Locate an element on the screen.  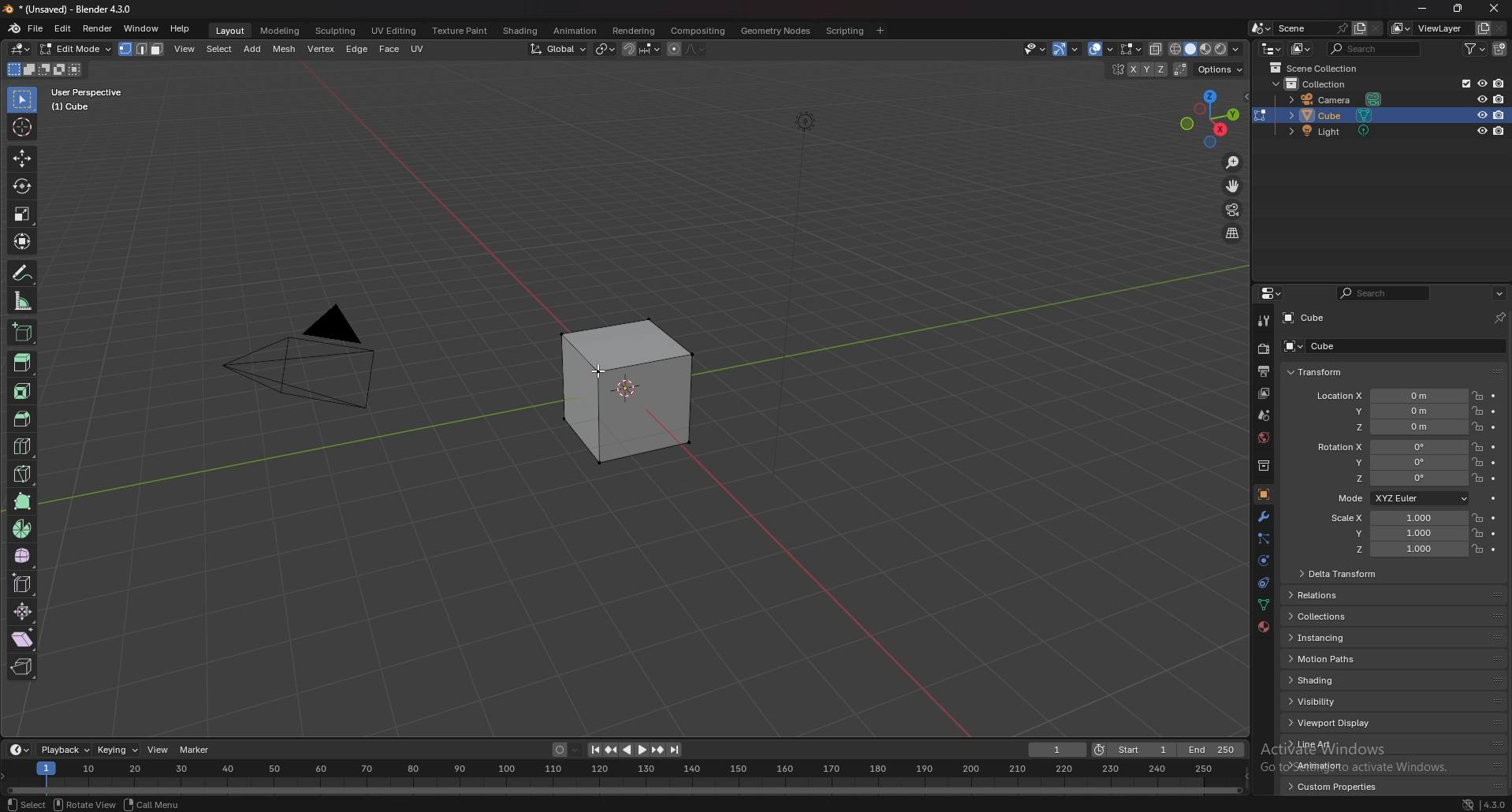
mesh is located at coordinates (284, 50).